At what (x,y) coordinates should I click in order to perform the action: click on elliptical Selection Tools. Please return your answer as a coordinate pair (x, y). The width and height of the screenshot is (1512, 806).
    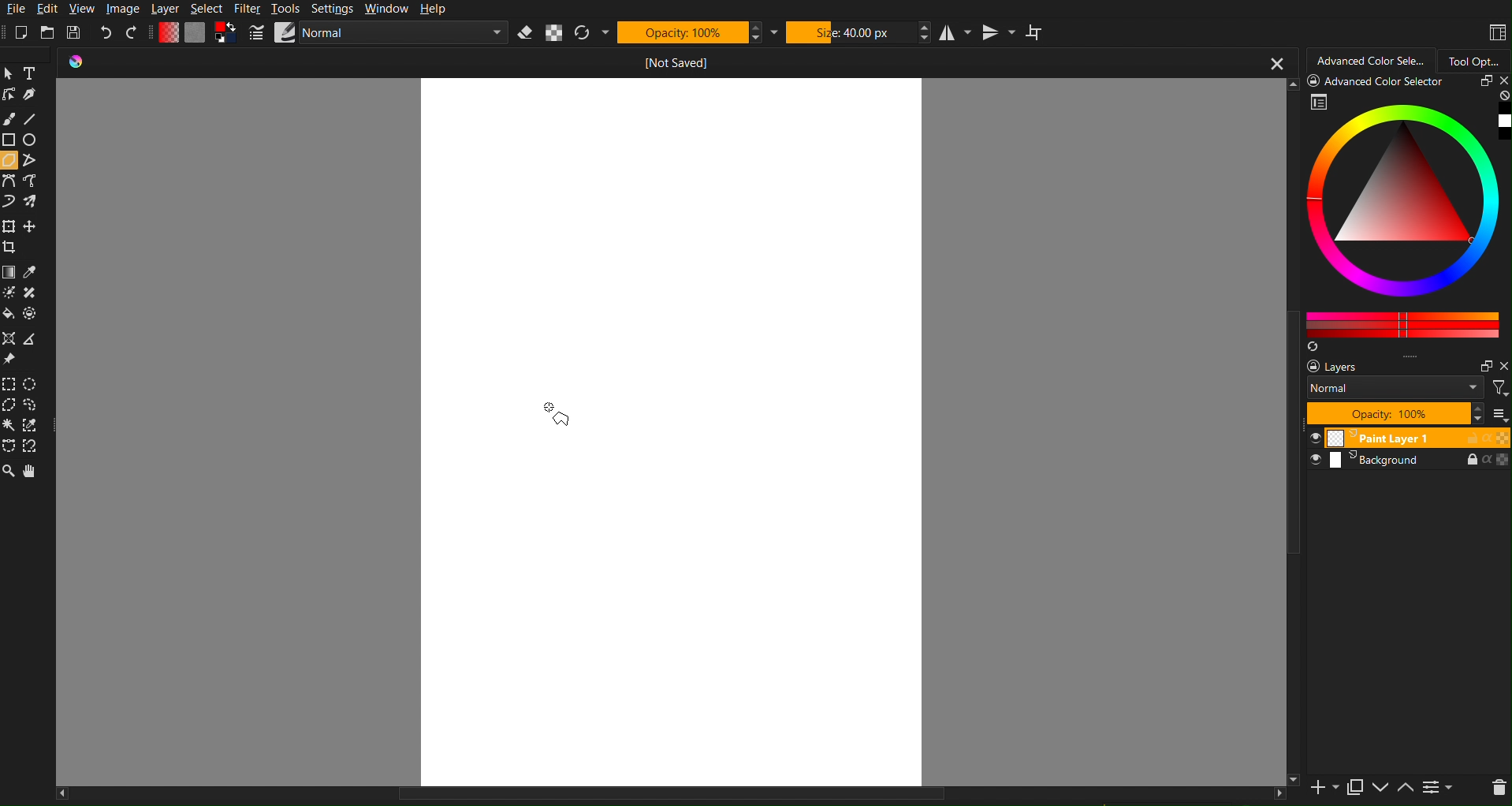
    Looking at the image, I should click on (33, 383).